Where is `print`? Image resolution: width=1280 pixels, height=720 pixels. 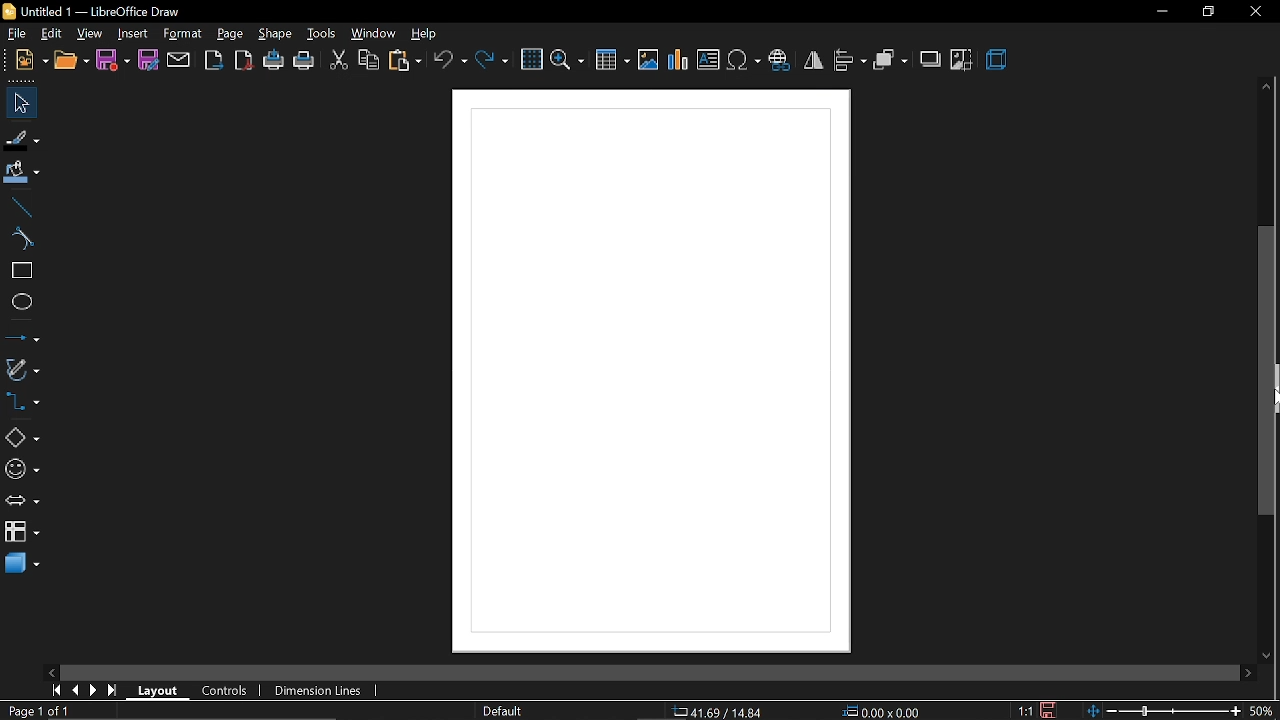
print is located at coordinates (305, 62).